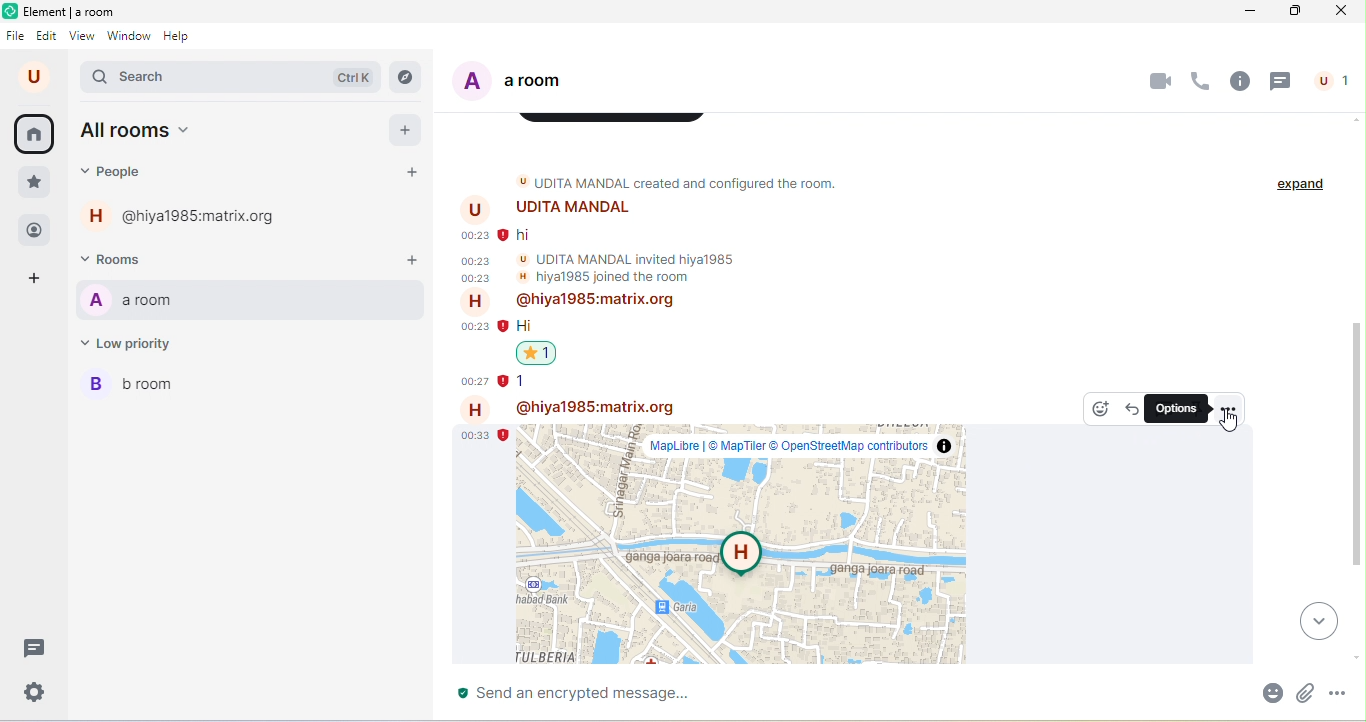  I want to click on element logo, so click(10, 11).